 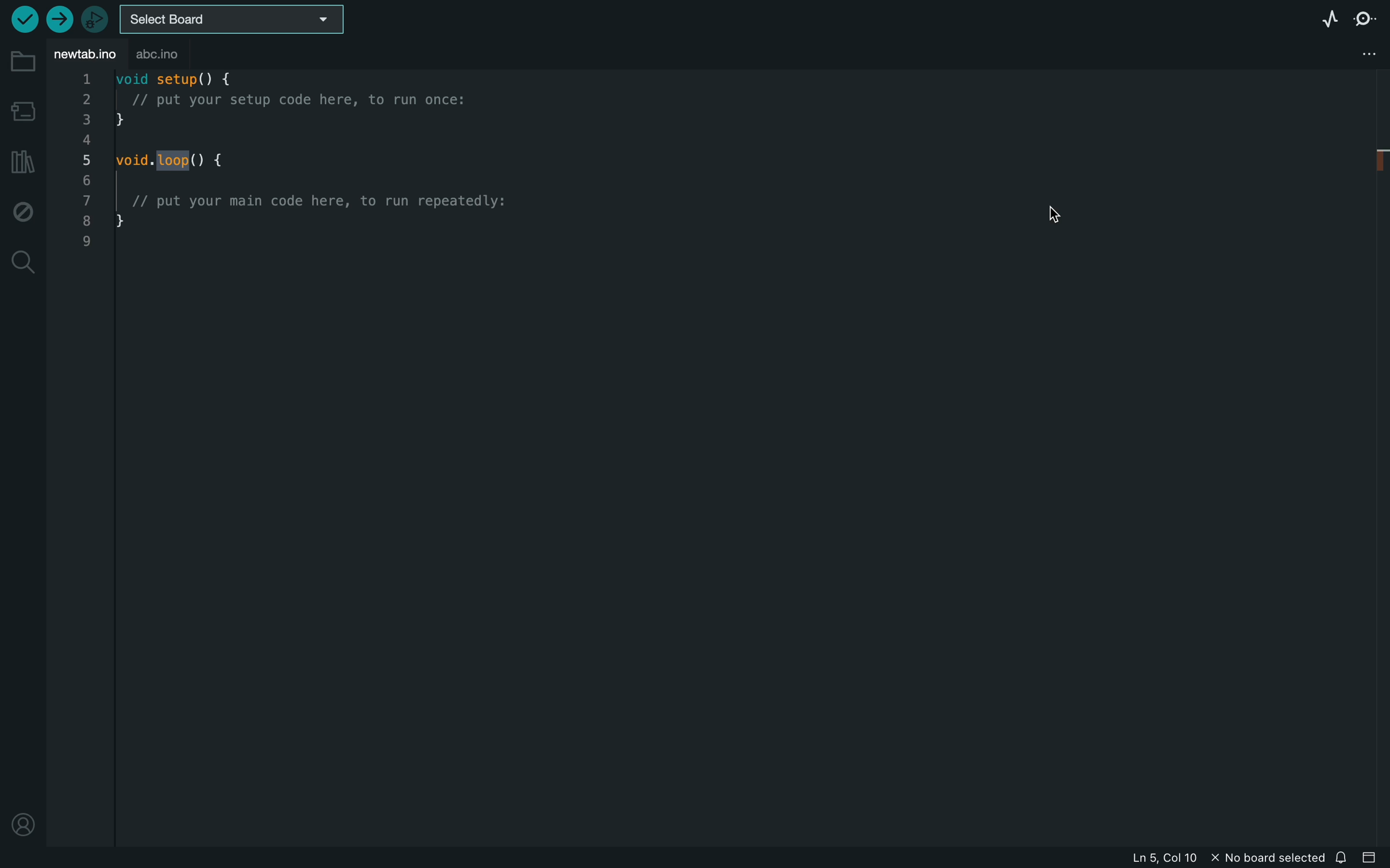 What do you see at coordinates (23, 822) in the screenshot?
I see `profile` at bounding box center [23, 822].